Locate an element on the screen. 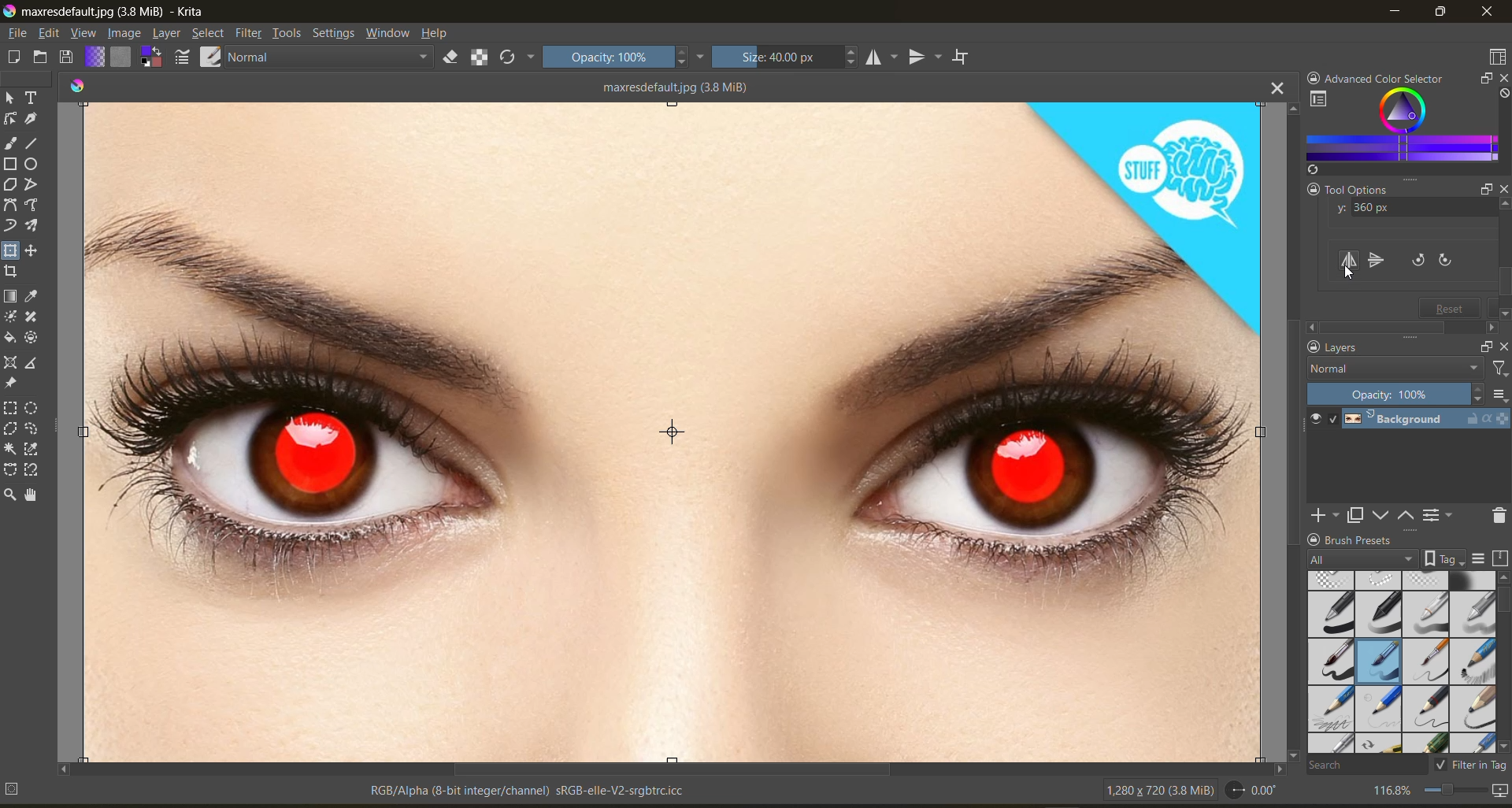 This screenshot has width=1512, height=808. tool is located at coordinates (32, 339).